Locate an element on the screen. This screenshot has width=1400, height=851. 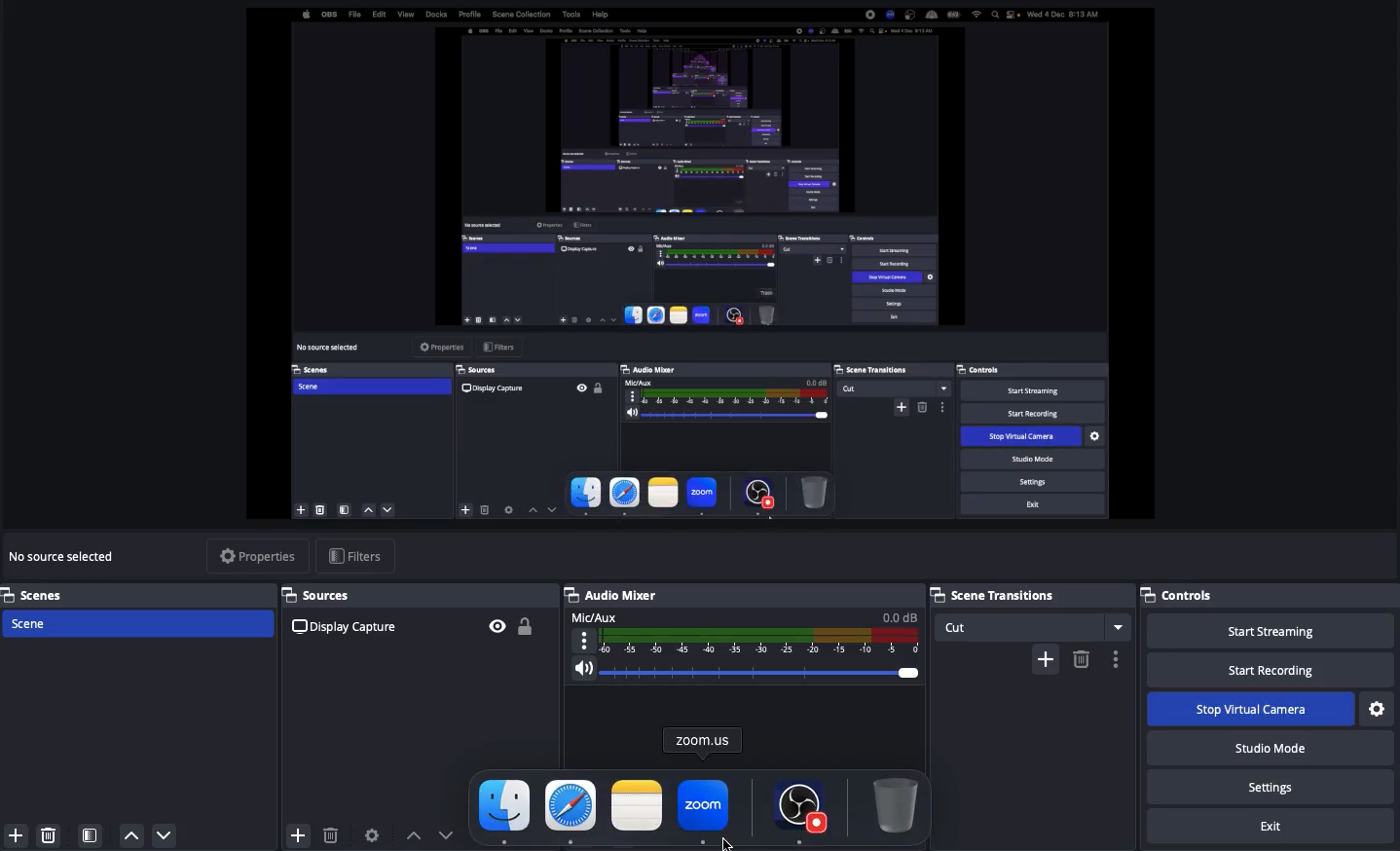
Settings is located at coordinates (1274, 786).